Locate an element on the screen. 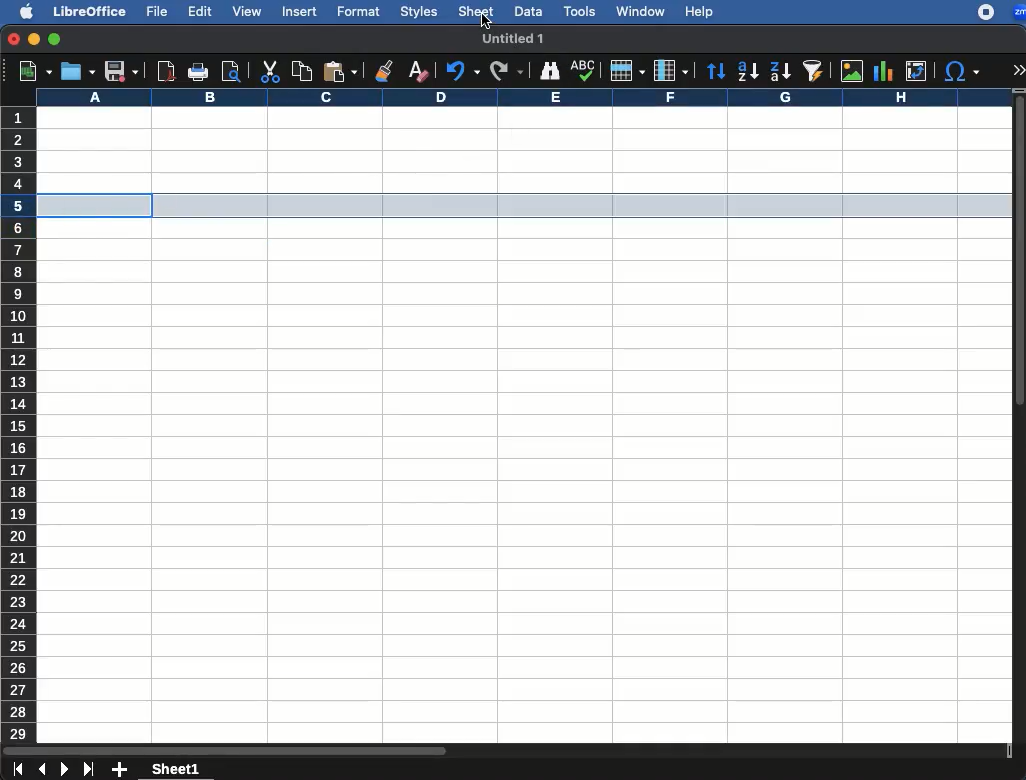 This screenshot has width=1026, height=780. finder is located at coordinates (550, 71).